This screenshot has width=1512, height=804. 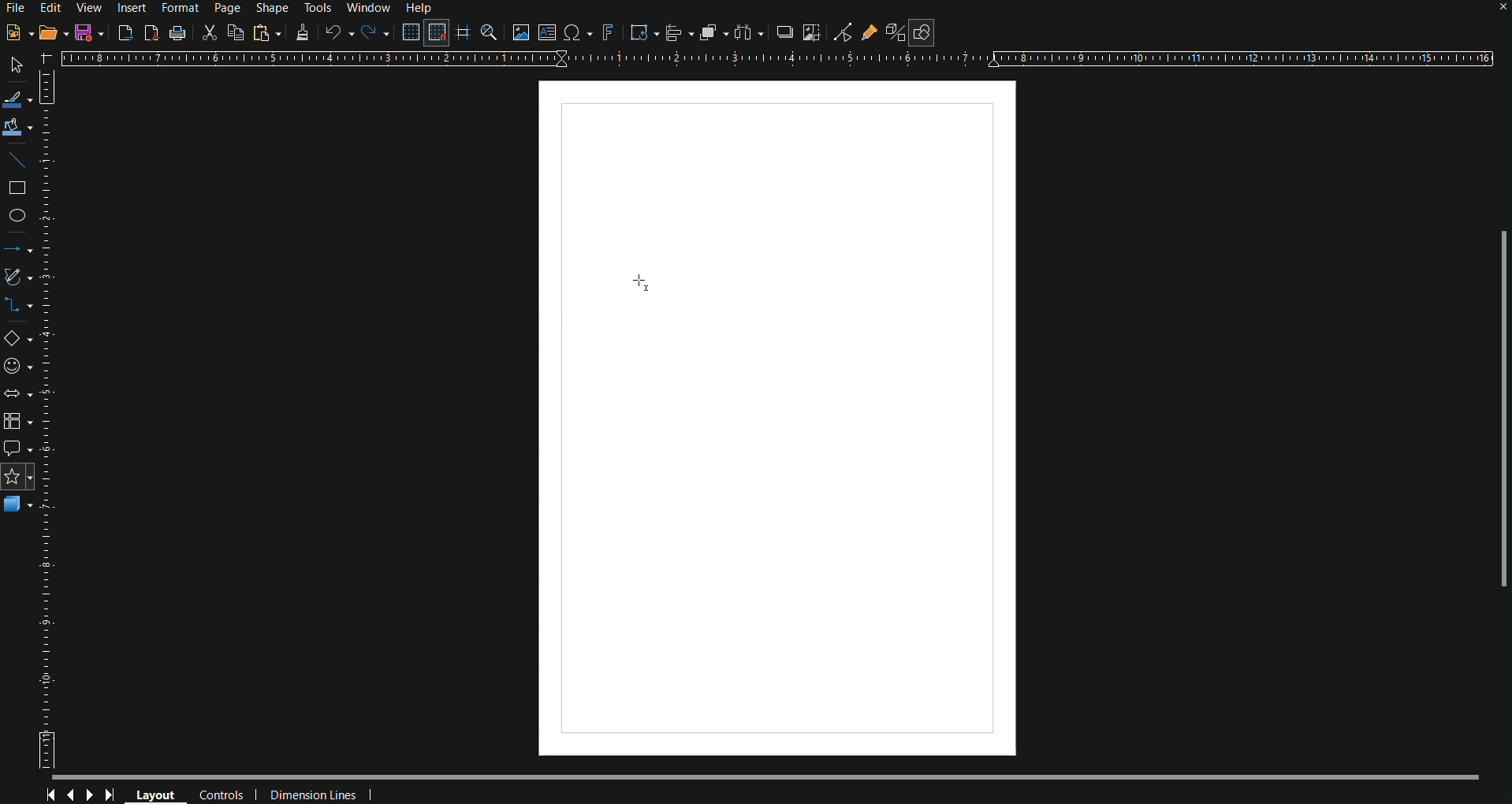 What do you see at coordinates (464, 34) in the screenshot?
I see `Guidelines while moving` at bounding box center [464, 34].